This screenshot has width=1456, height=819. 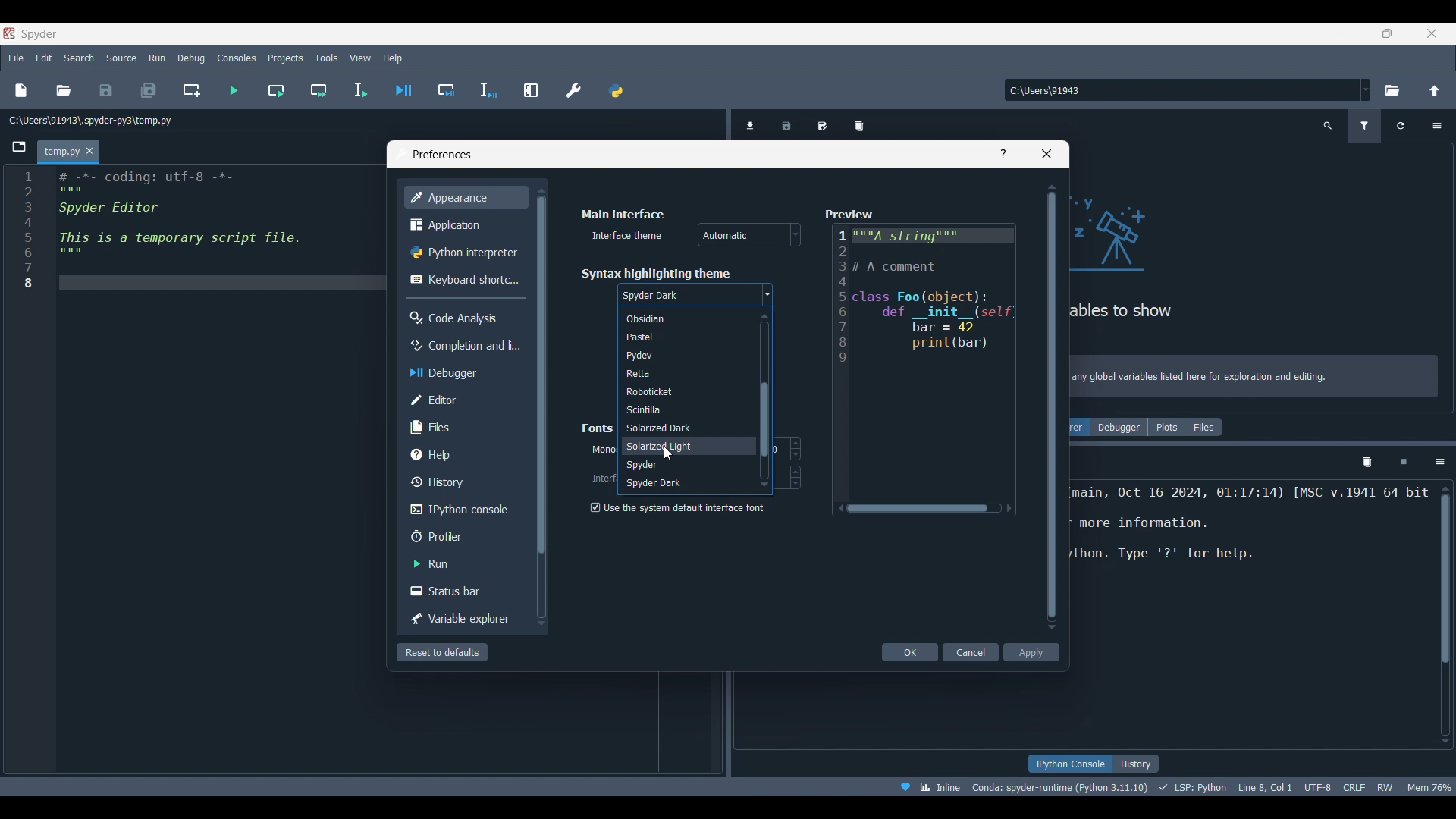 What do you see at coordinates (925, 360) in the screenshot?
I see `Preview` at bounding box center [925, 360].